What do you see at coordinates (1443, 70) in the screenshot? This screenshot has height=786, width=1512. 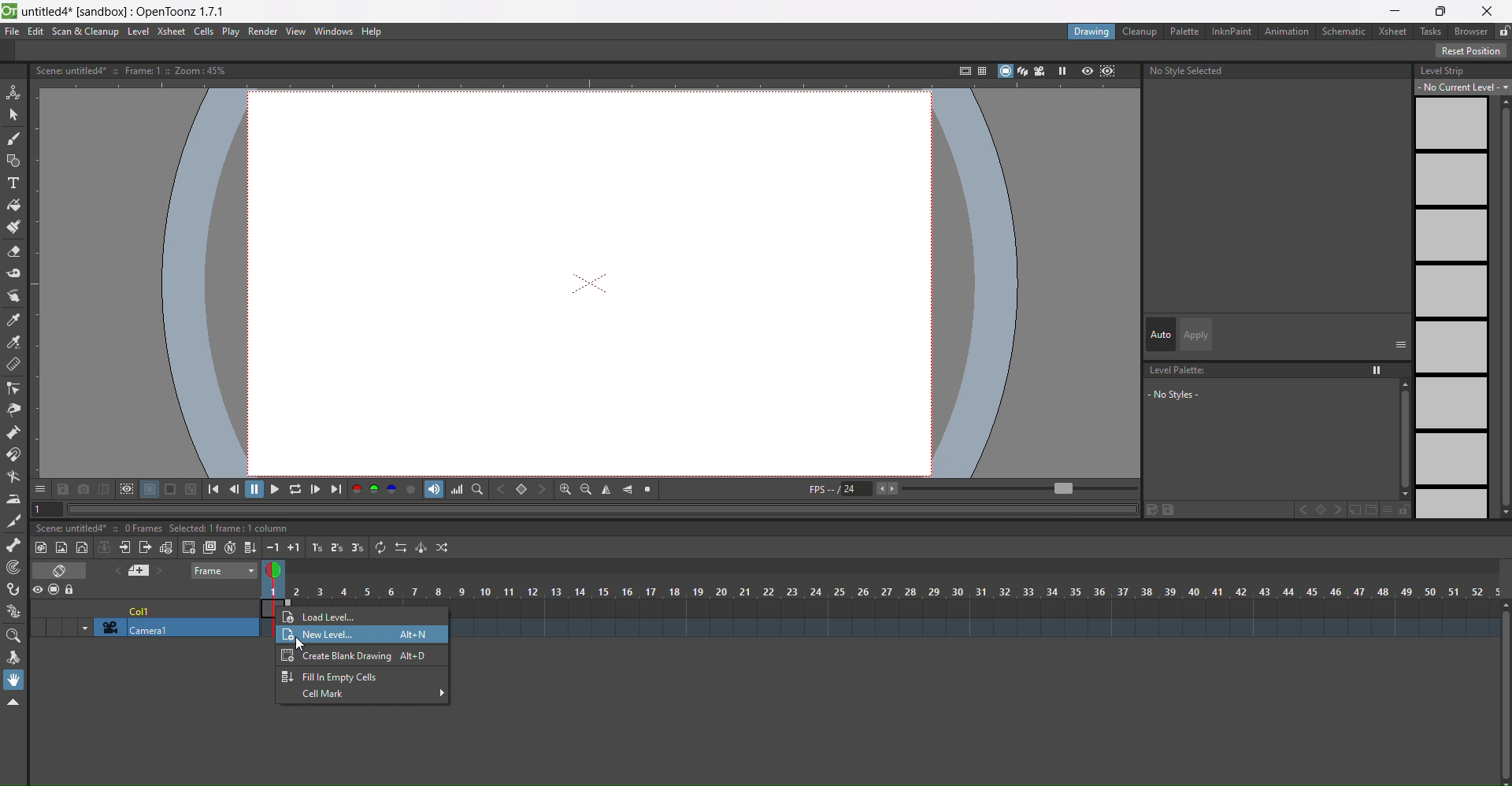 I see `level strip` at bounding box center [1443, 70].